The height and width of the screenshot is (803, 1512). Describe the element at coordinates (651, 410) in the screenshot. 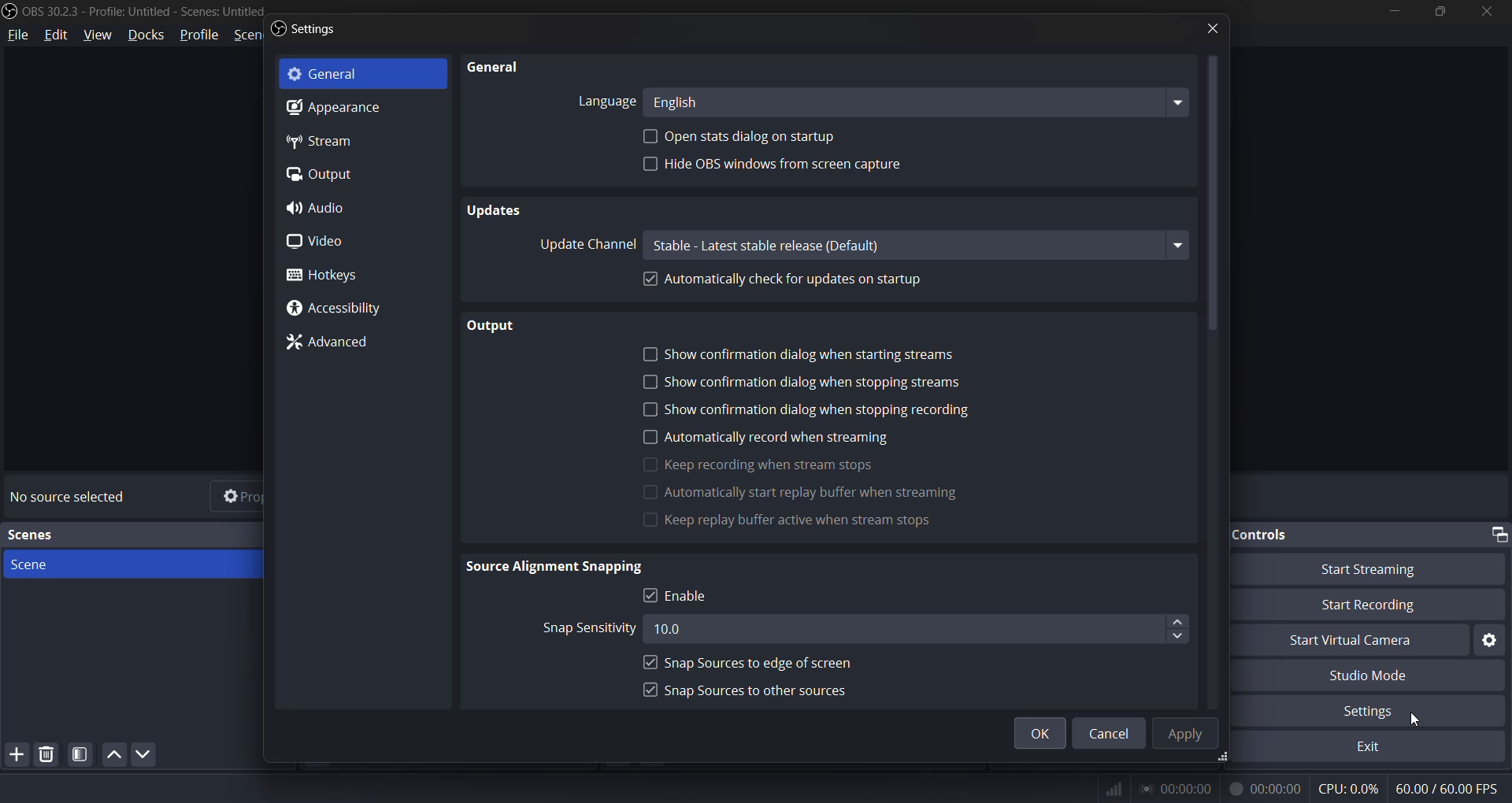

I see `checkbox` at that location.